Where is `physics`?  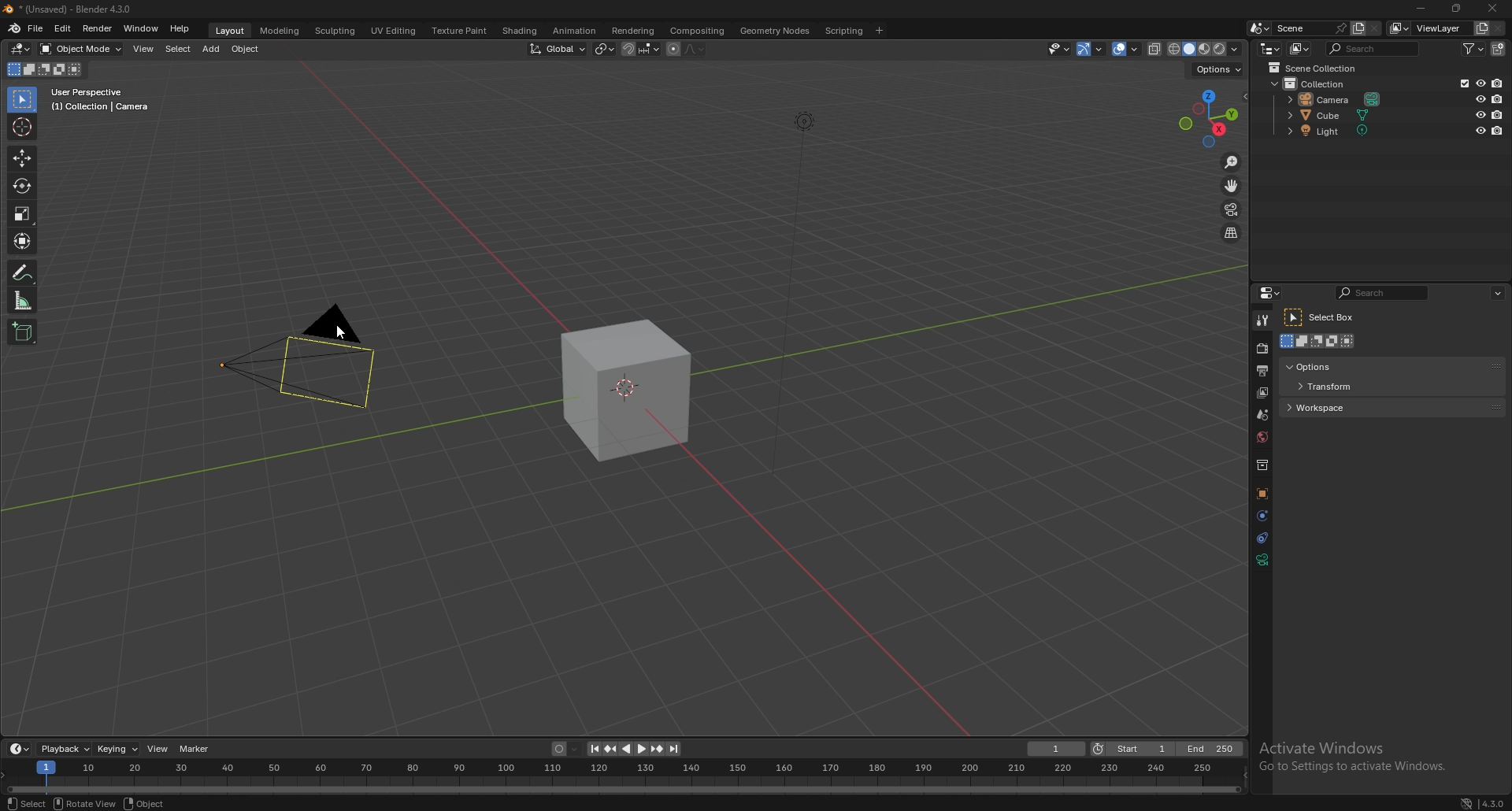 physics is located at coordinates (1261, 515).